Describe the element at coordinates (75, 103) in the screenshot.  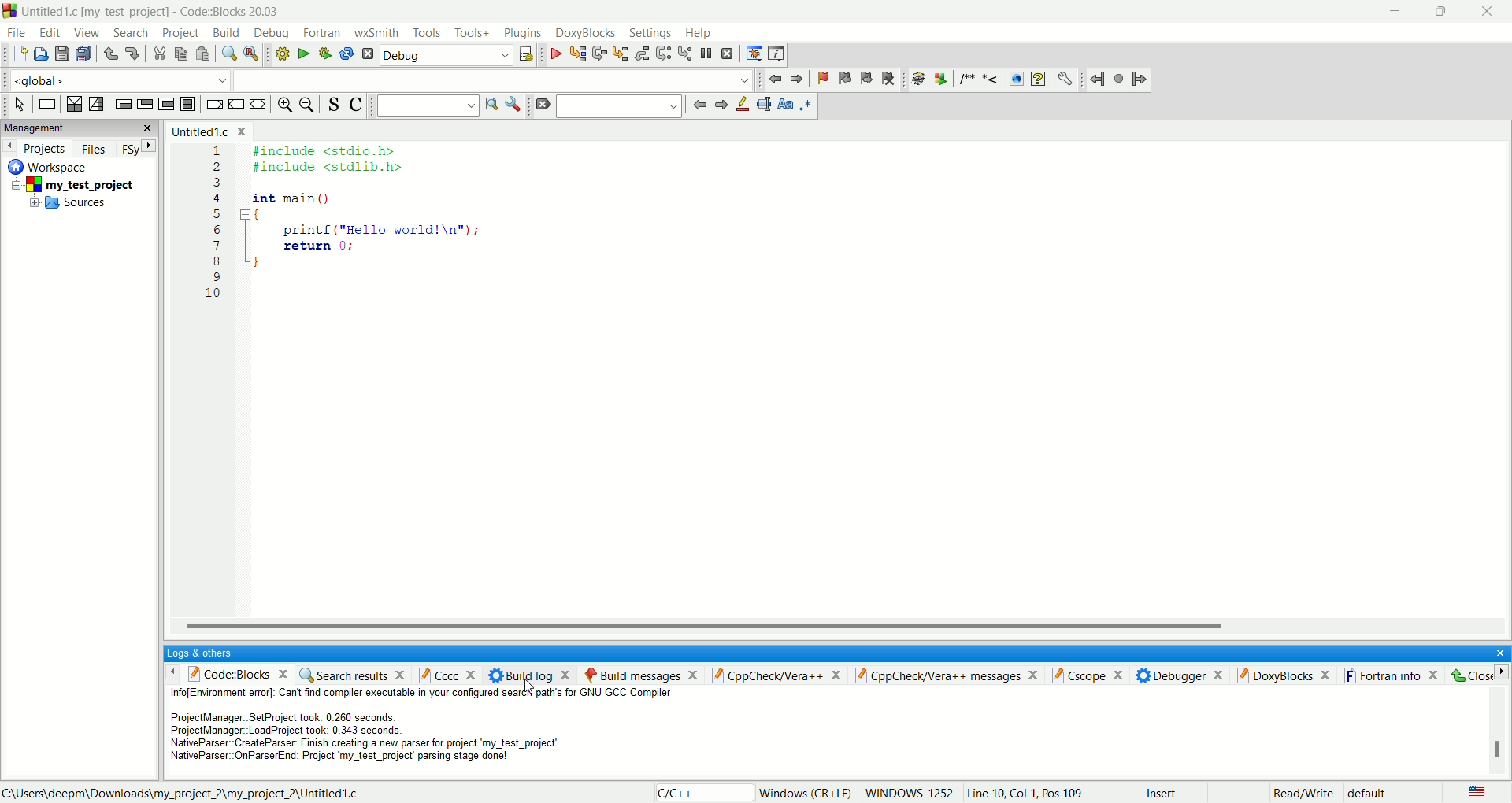
I see `decision` at that location.